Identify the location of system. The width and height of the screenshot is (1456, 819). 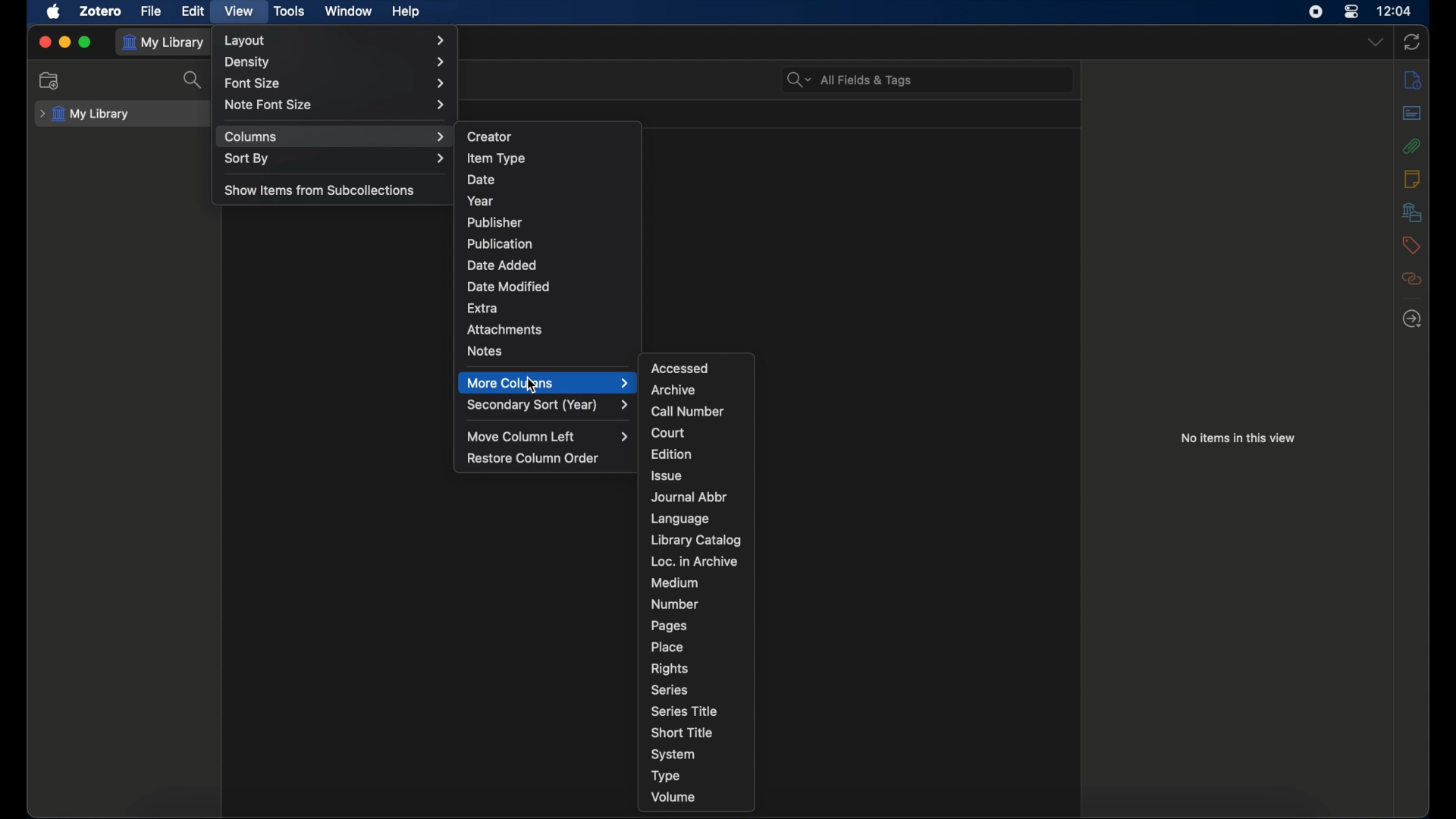
(673, 755).